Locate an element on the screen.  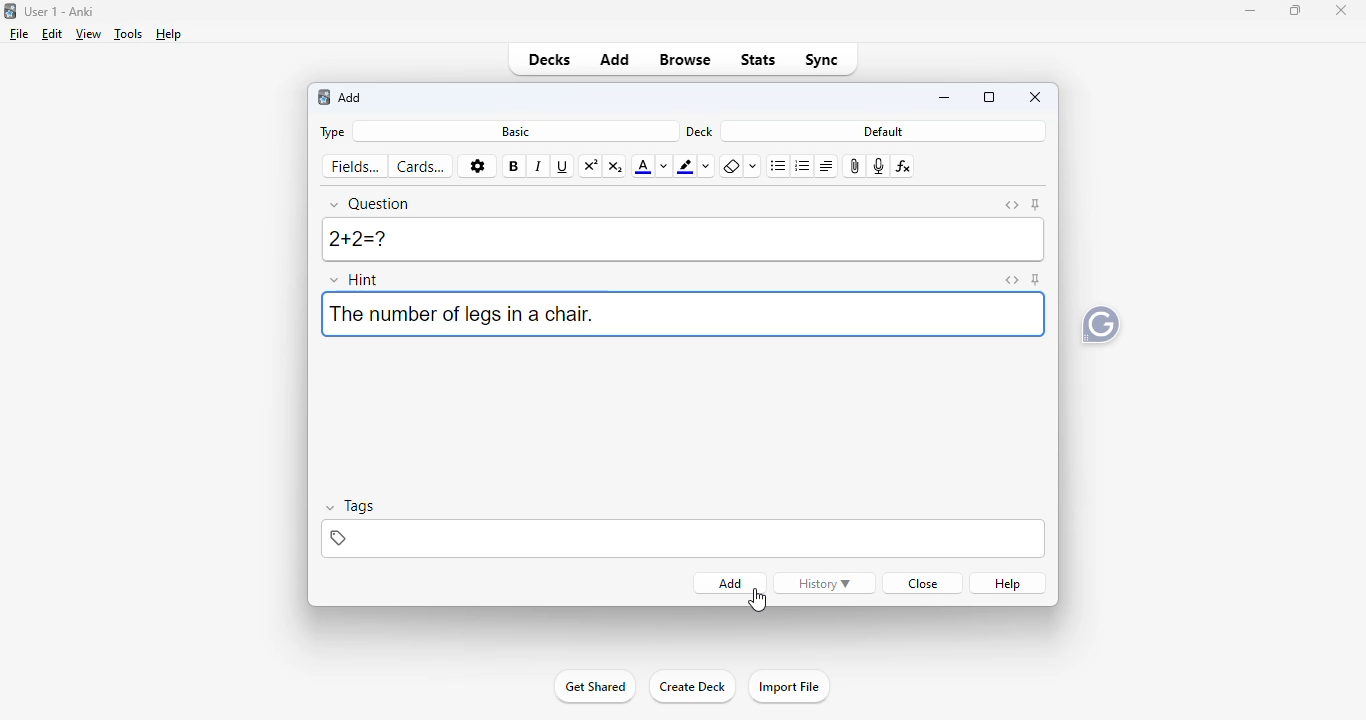
add is located at coordinates (349, 97).